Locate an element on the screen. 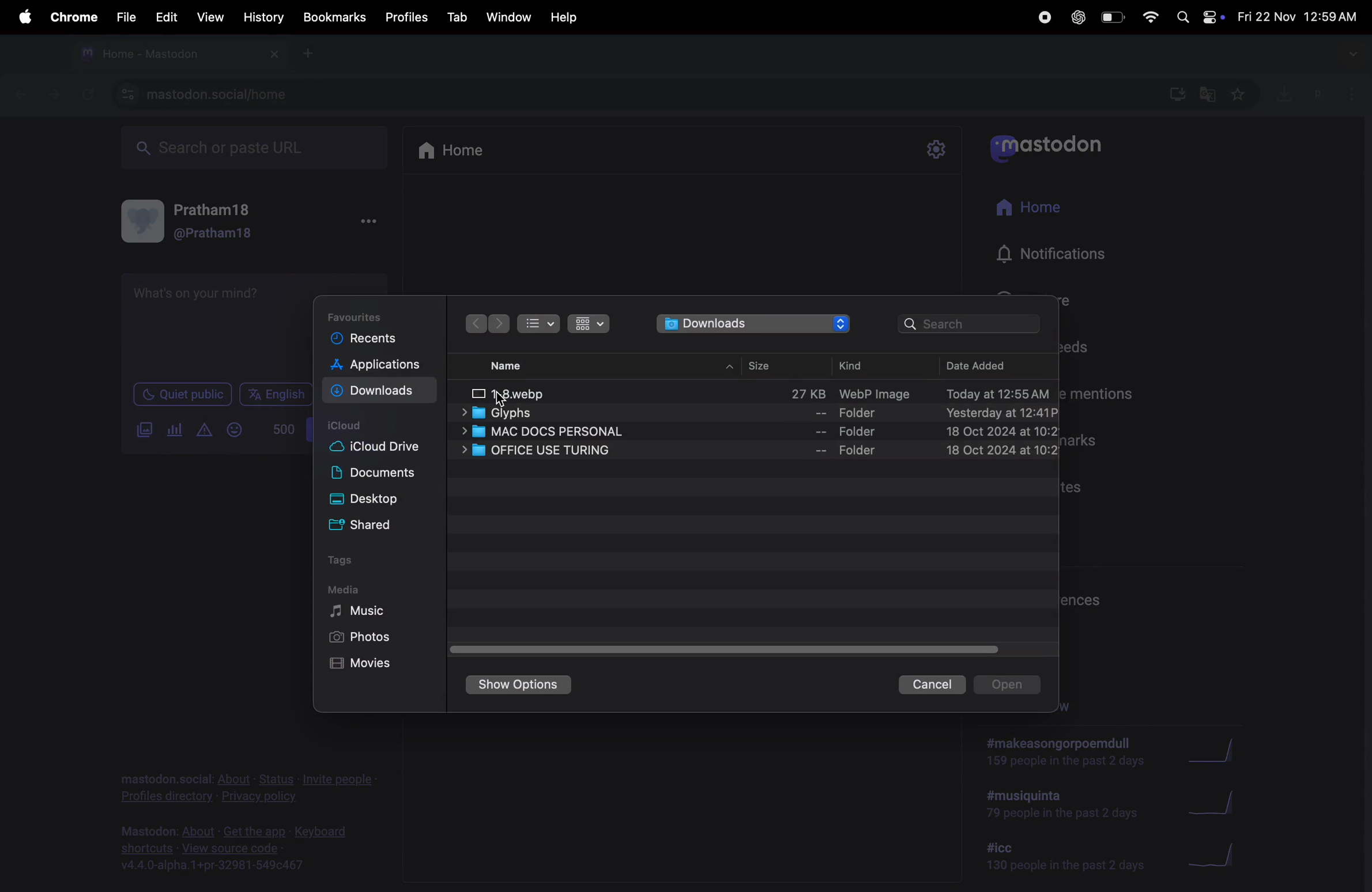 Image resolution: width=1372 pixels, height=892 pixels. shortcuts is located at coordinates (147, 848).